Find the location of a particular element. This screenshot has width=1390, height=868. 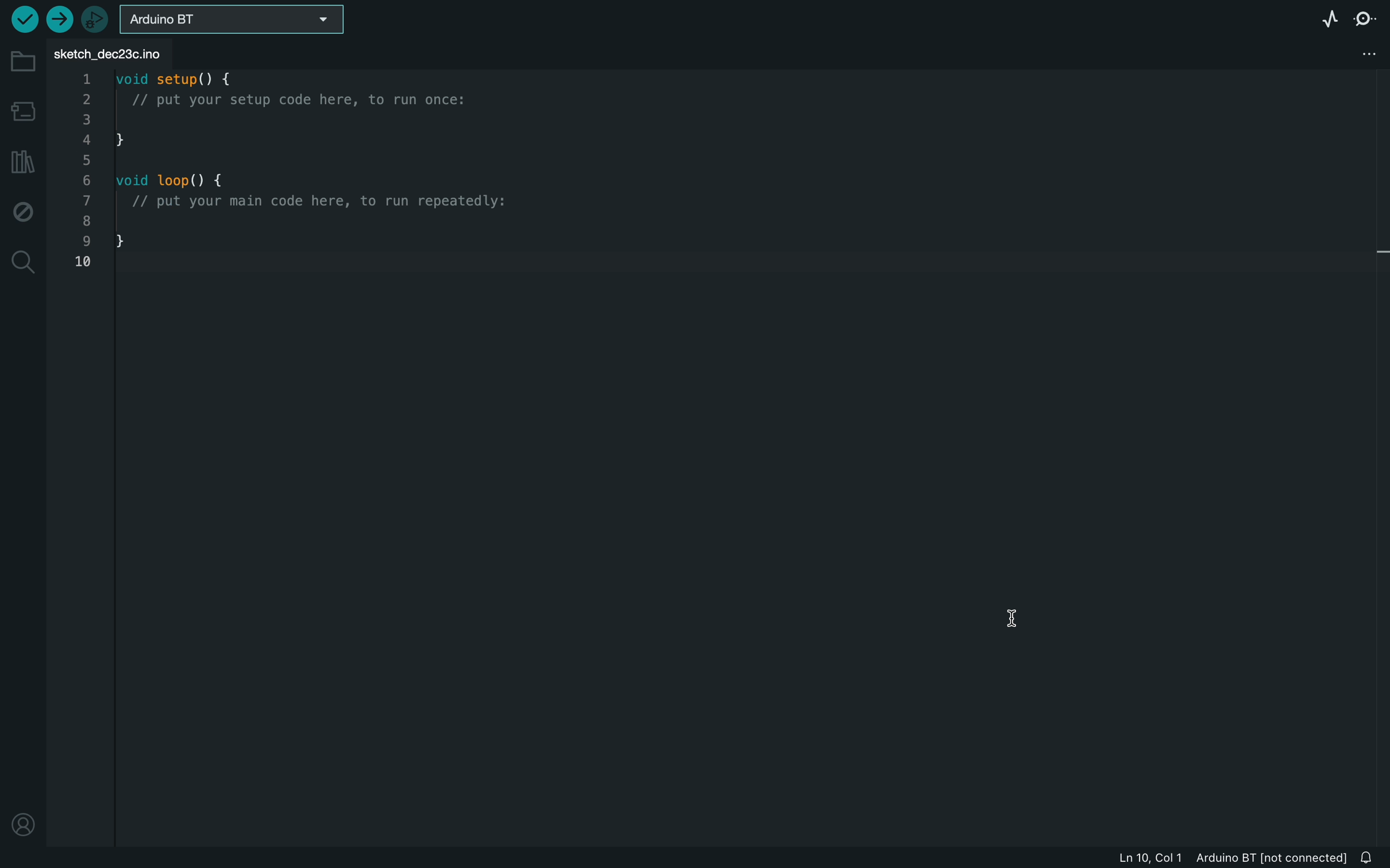

file information is located at coordinates (1220, 858).